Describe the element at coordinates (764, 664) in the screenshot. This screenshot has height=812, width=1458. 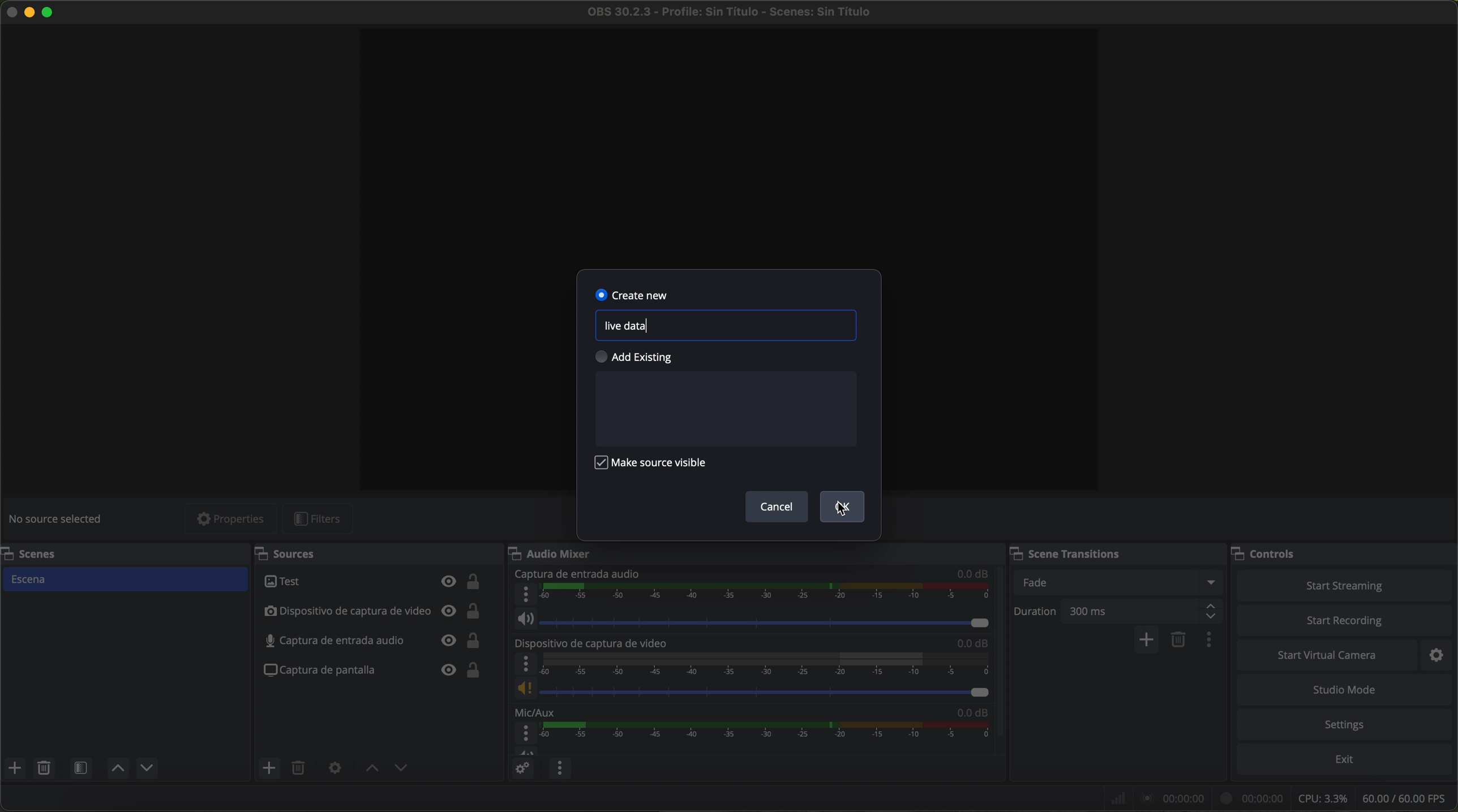
I see `timeline` at that location.